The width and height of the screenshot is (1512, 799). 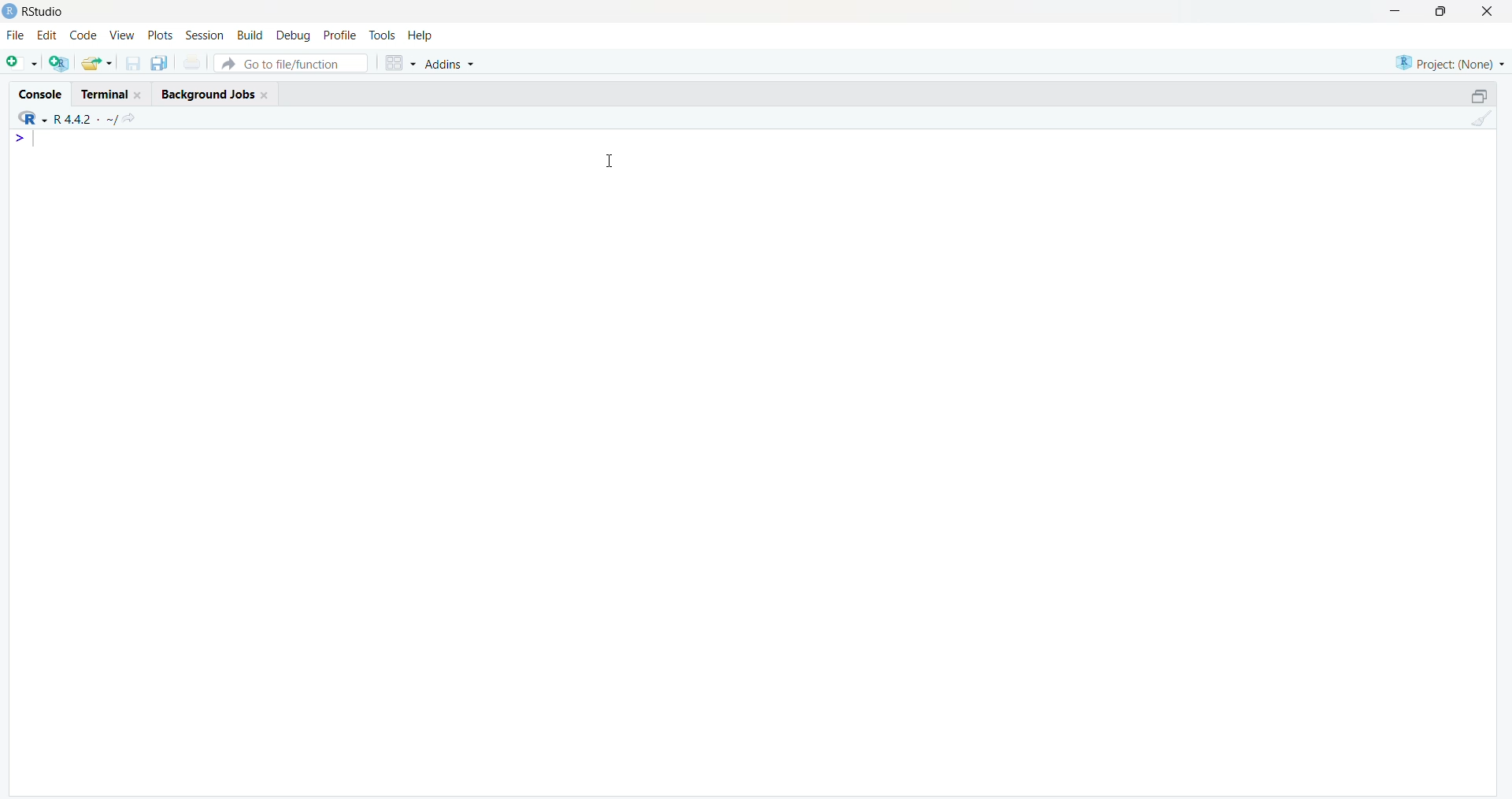 What do you see at coordinates (192, 63) in the screenshot?
I see `print` at bounding box center [192, 63].